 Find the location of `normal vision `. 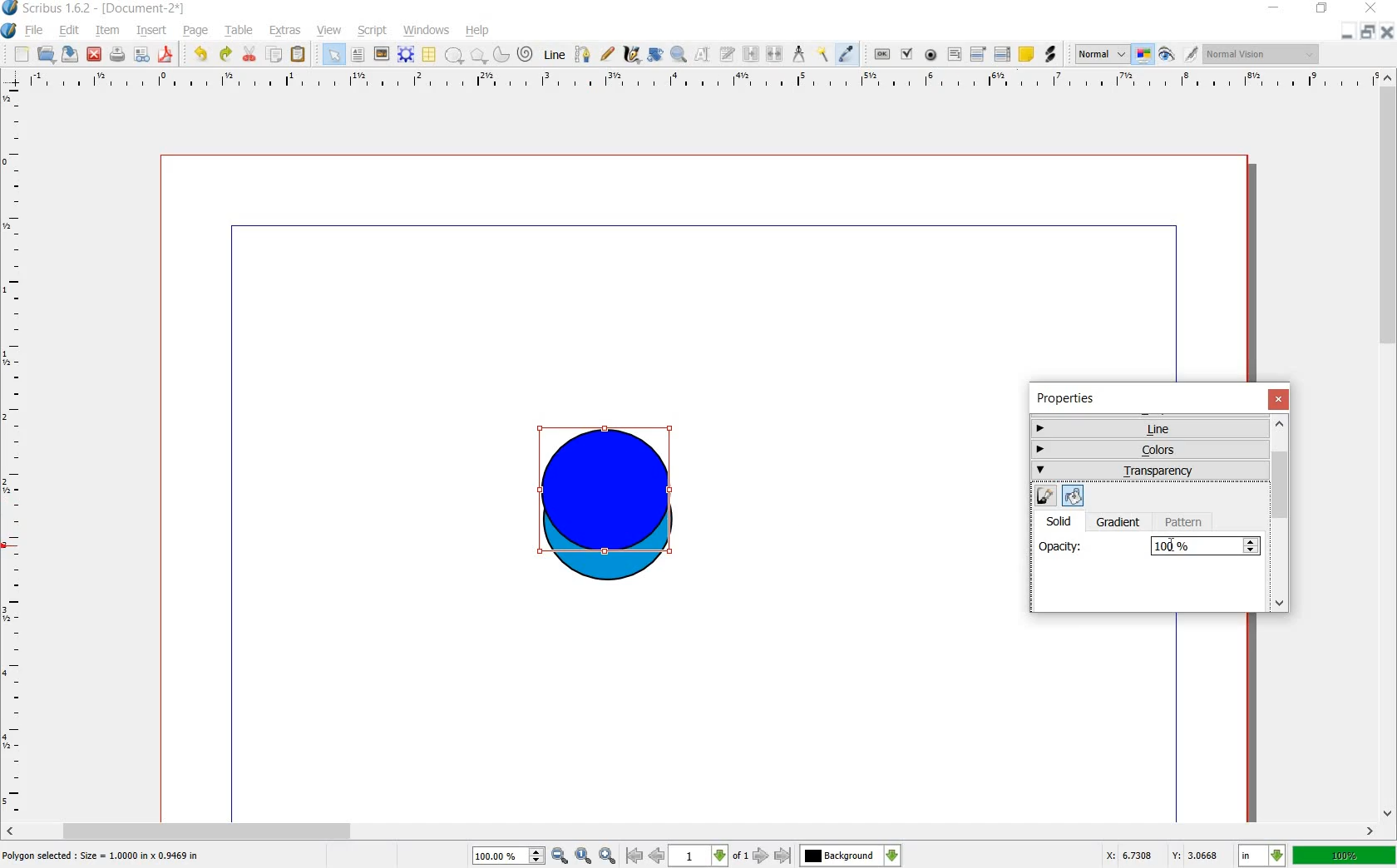

normal vision  is located at coordinates (1261, 55).